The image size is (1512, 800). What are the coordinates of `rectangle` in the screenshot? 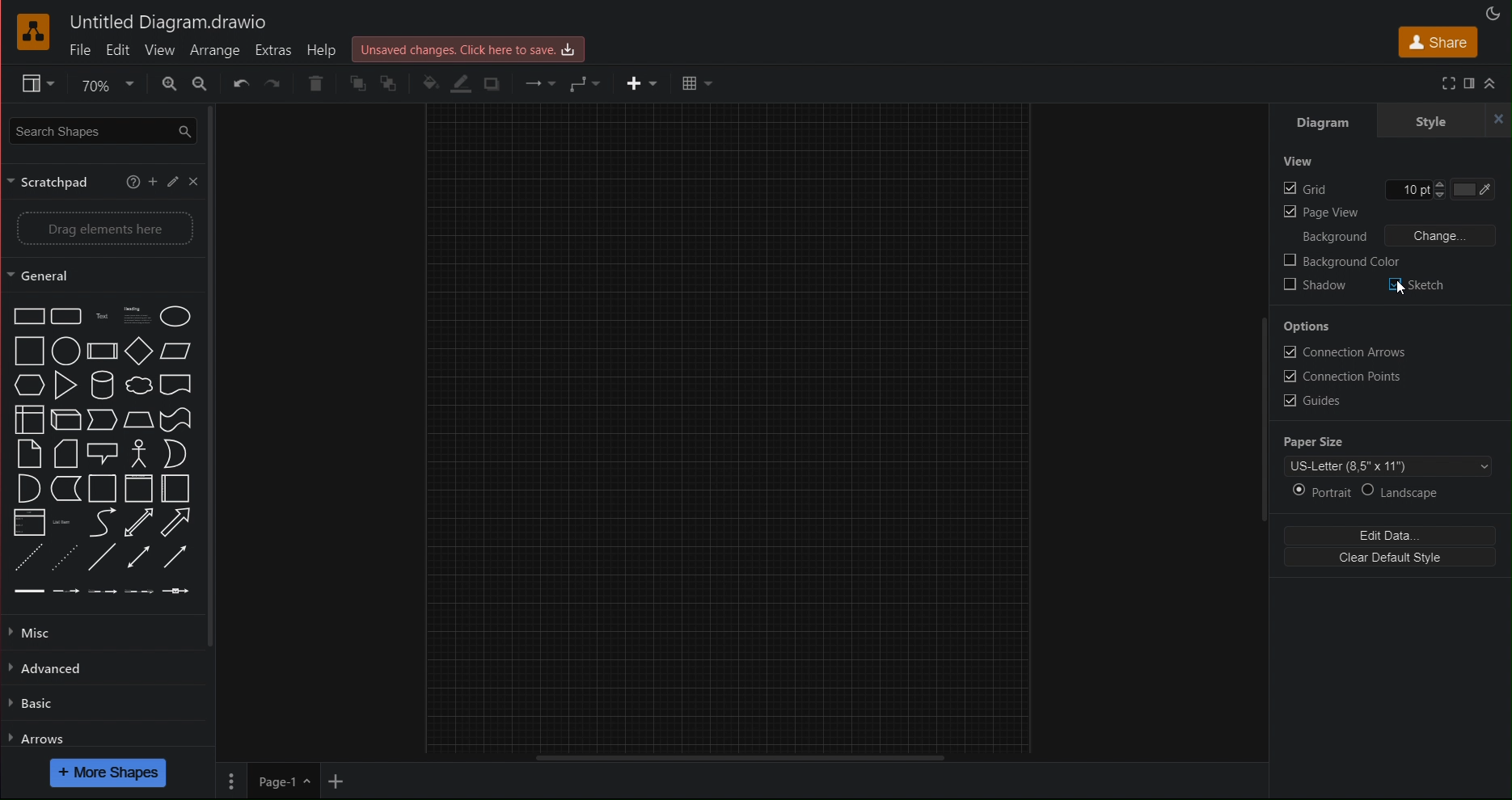 It's located at (28, 316).